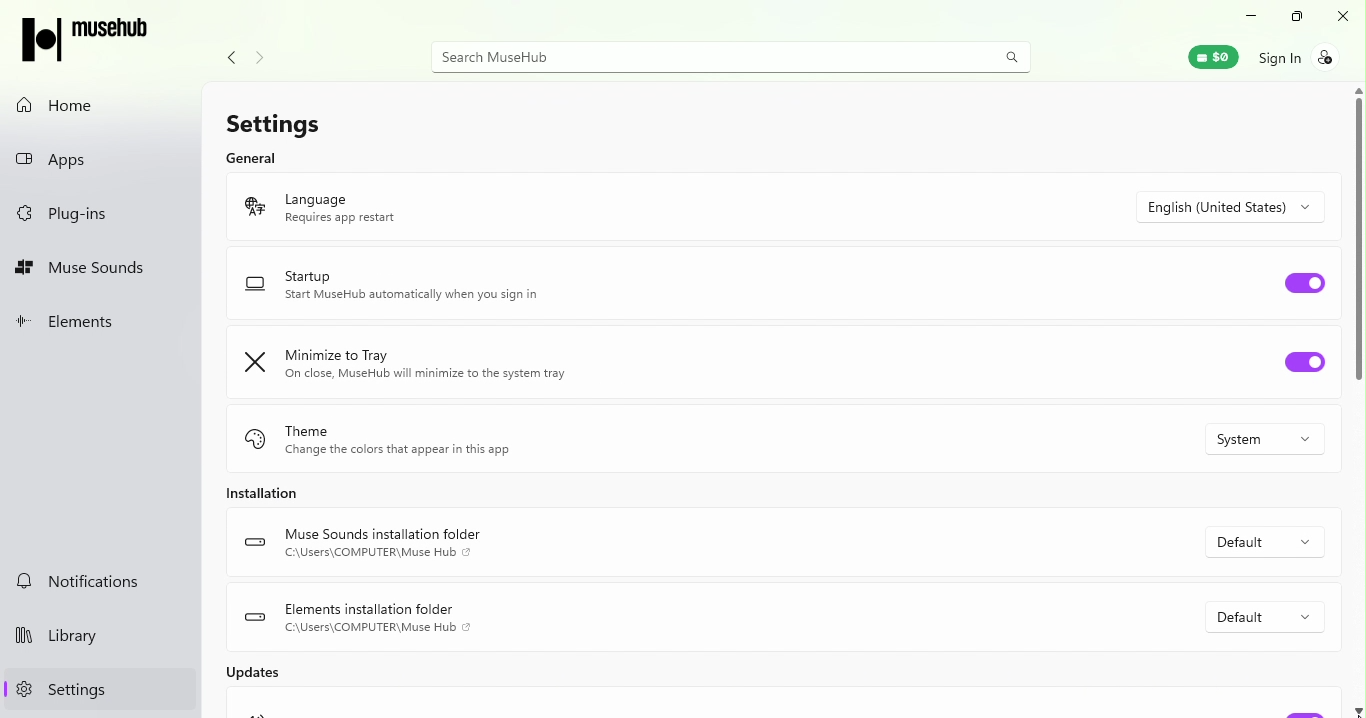 Image resolution: width=1366 pixels, height=718 pixels. Describe the element at coordinates (399, 283) in the screenshot. I see `Startup` at that location.